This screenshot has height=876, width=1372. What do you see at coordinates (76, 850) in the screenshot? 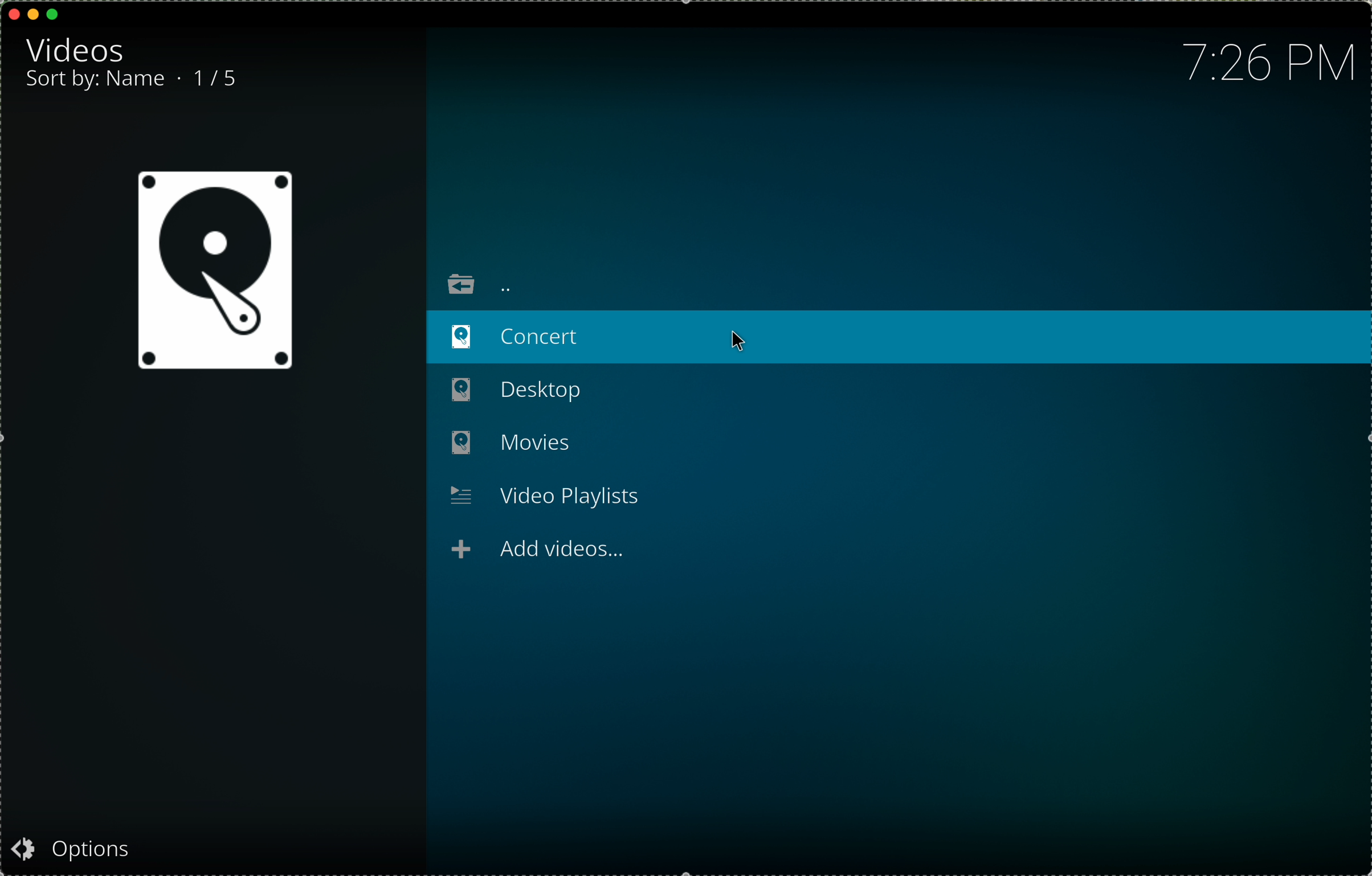
I see `options` at bounding box center [76, 850].